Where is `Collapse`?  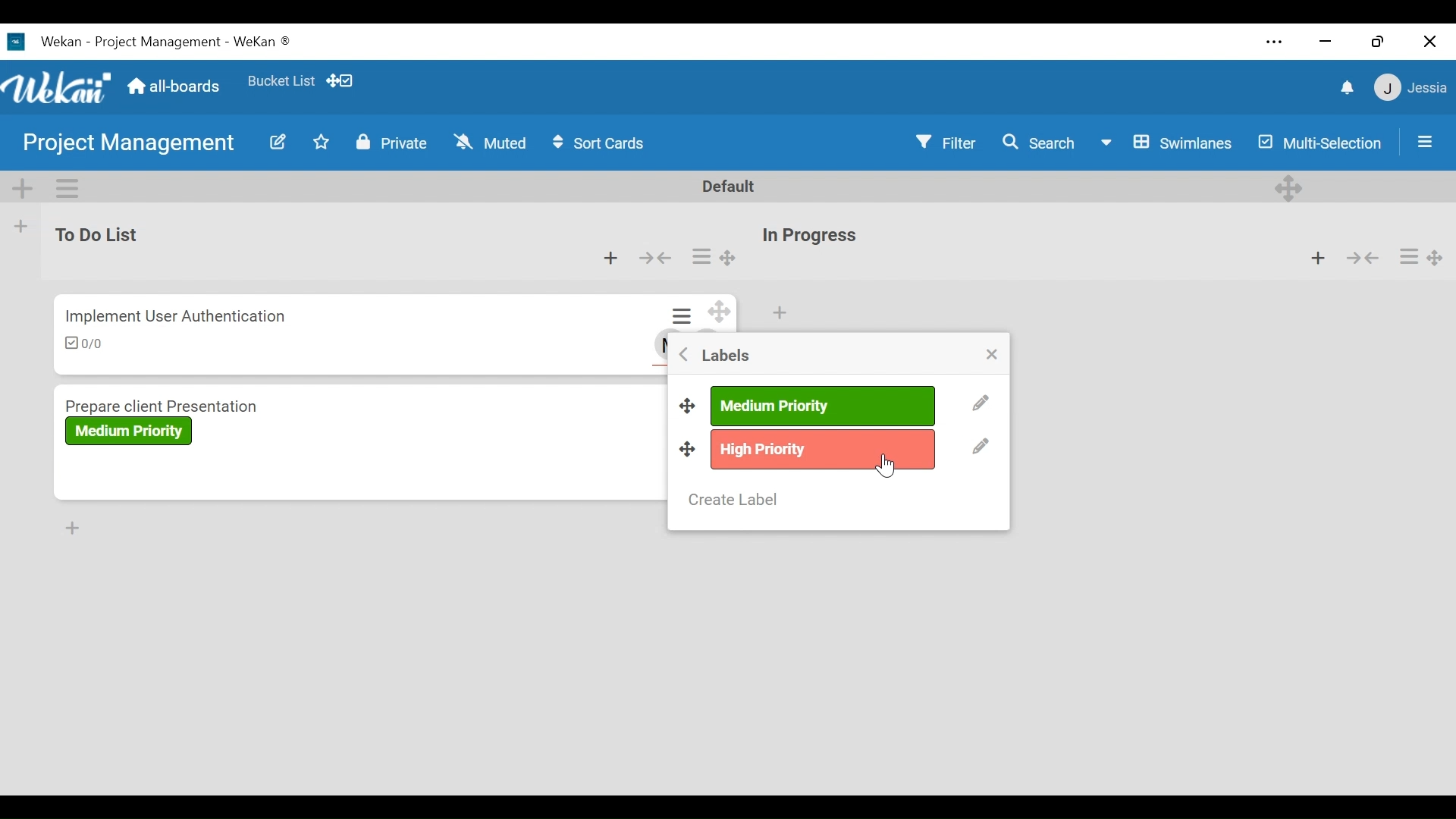
Collapse is located at coordinates (1361, 256).